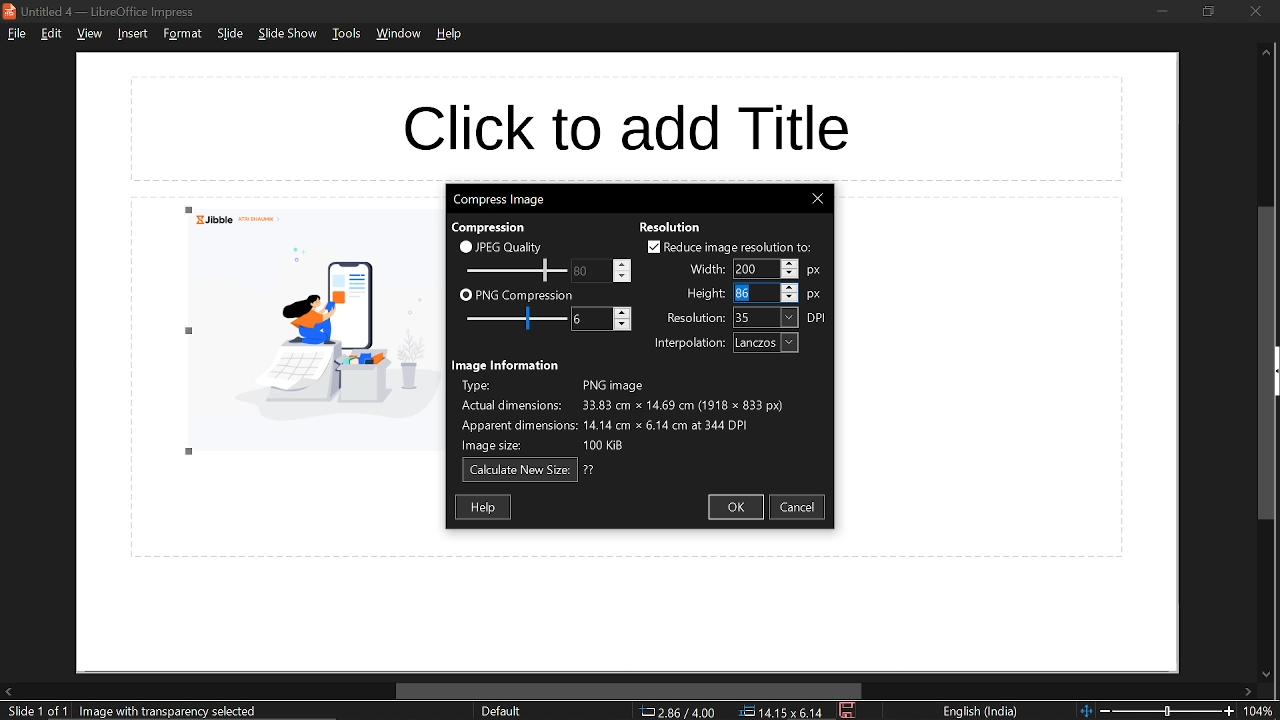 Image resolution: width=1280 pixels, height=720 pixels. Describe the element at coordinates (703, 294) in the screenshot. I see `height` at that location.